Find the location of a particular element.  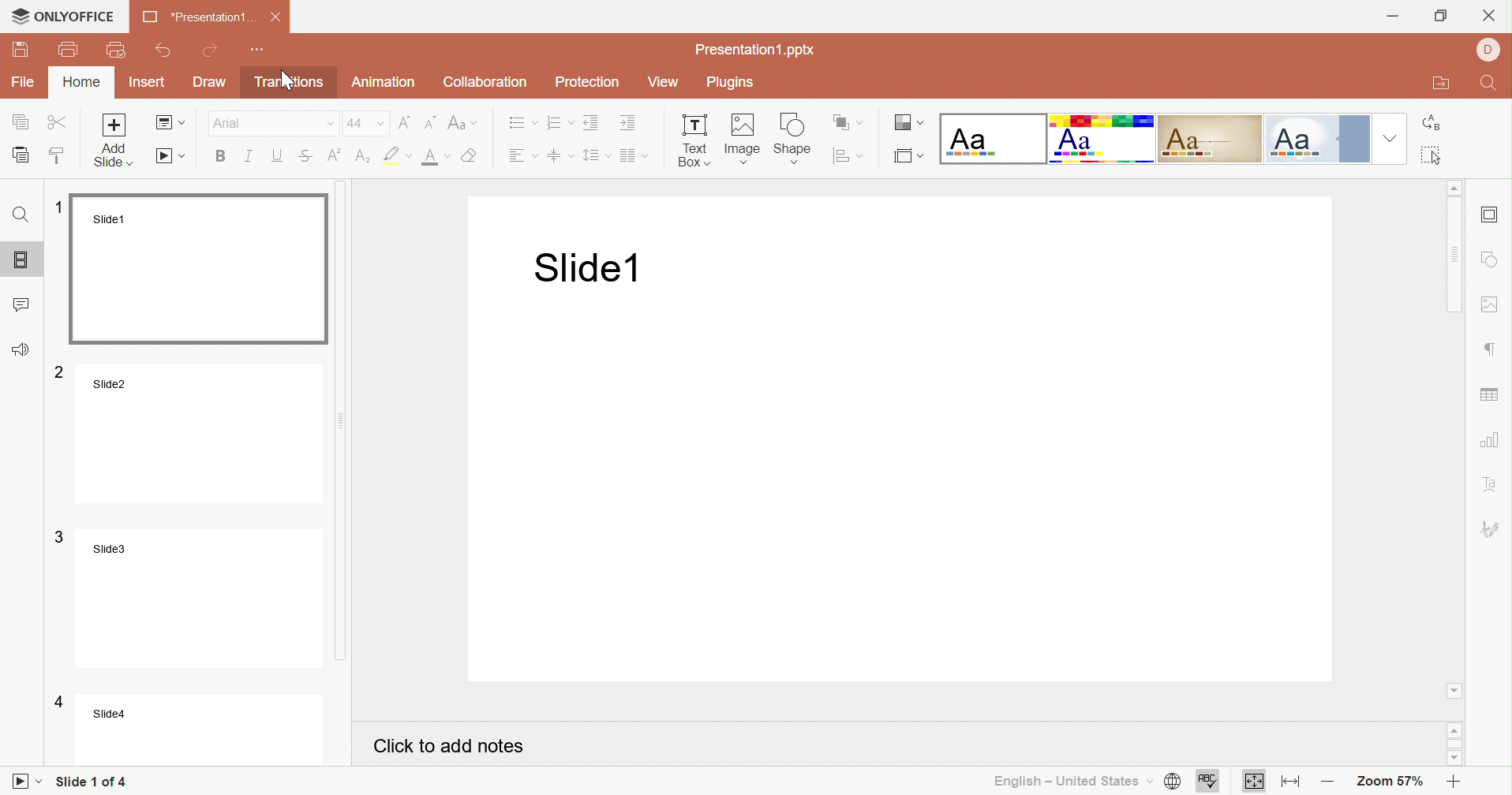

Fit to width is located at coordinates (1287, 782).